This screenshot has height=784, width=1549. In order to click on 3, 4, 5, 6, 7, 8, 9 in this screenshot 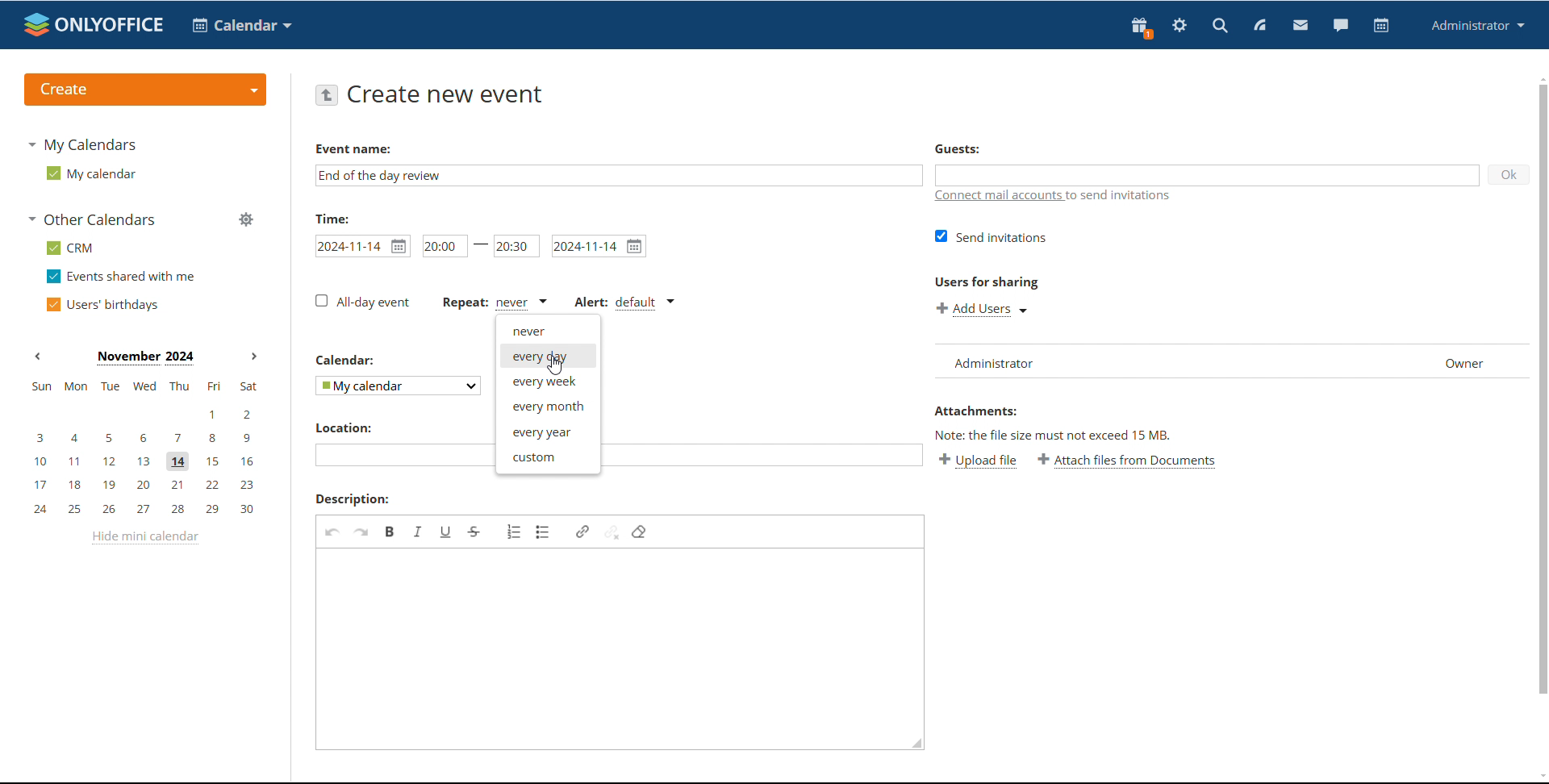, I will do `click(144, 436)`.